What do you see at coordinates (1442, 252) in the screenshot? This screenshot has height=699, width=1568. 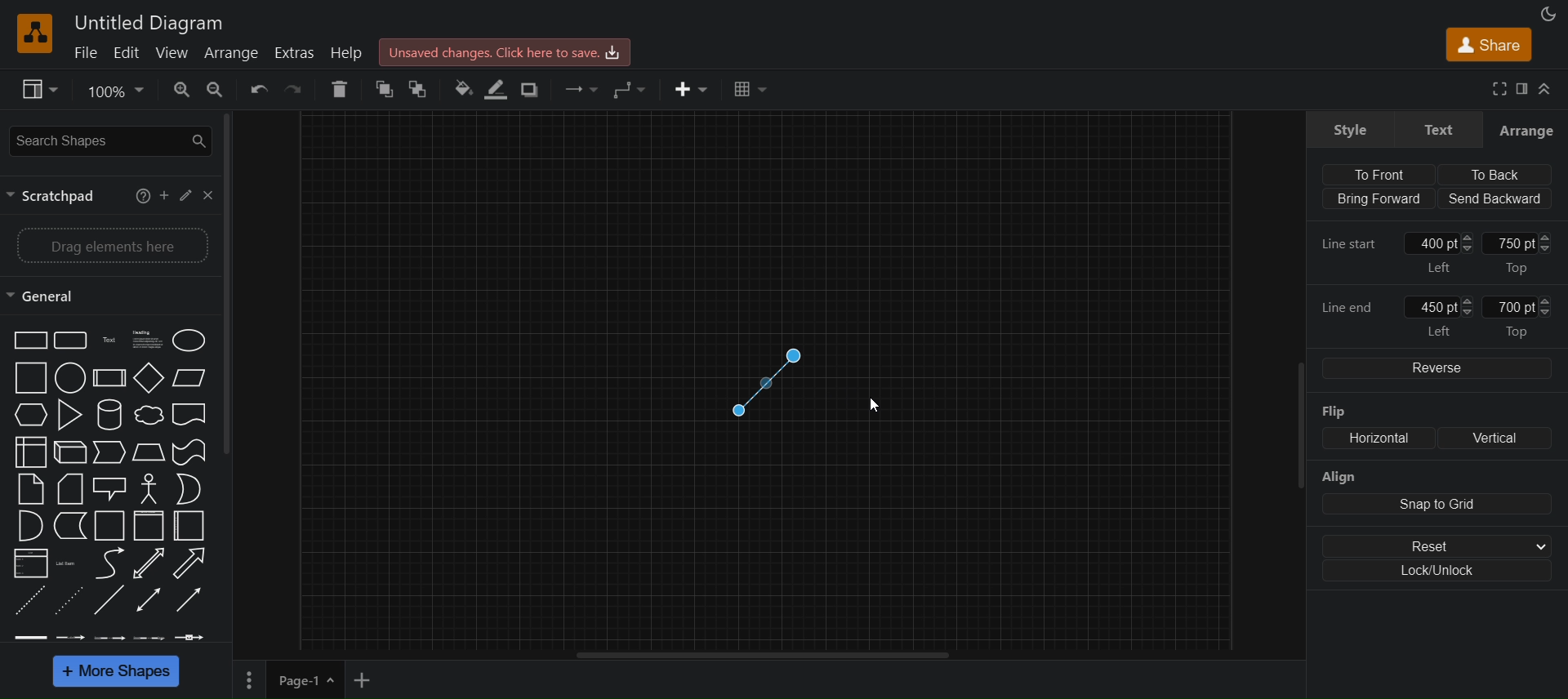 I see `400 pt left` at bounding box center [1442, 252].